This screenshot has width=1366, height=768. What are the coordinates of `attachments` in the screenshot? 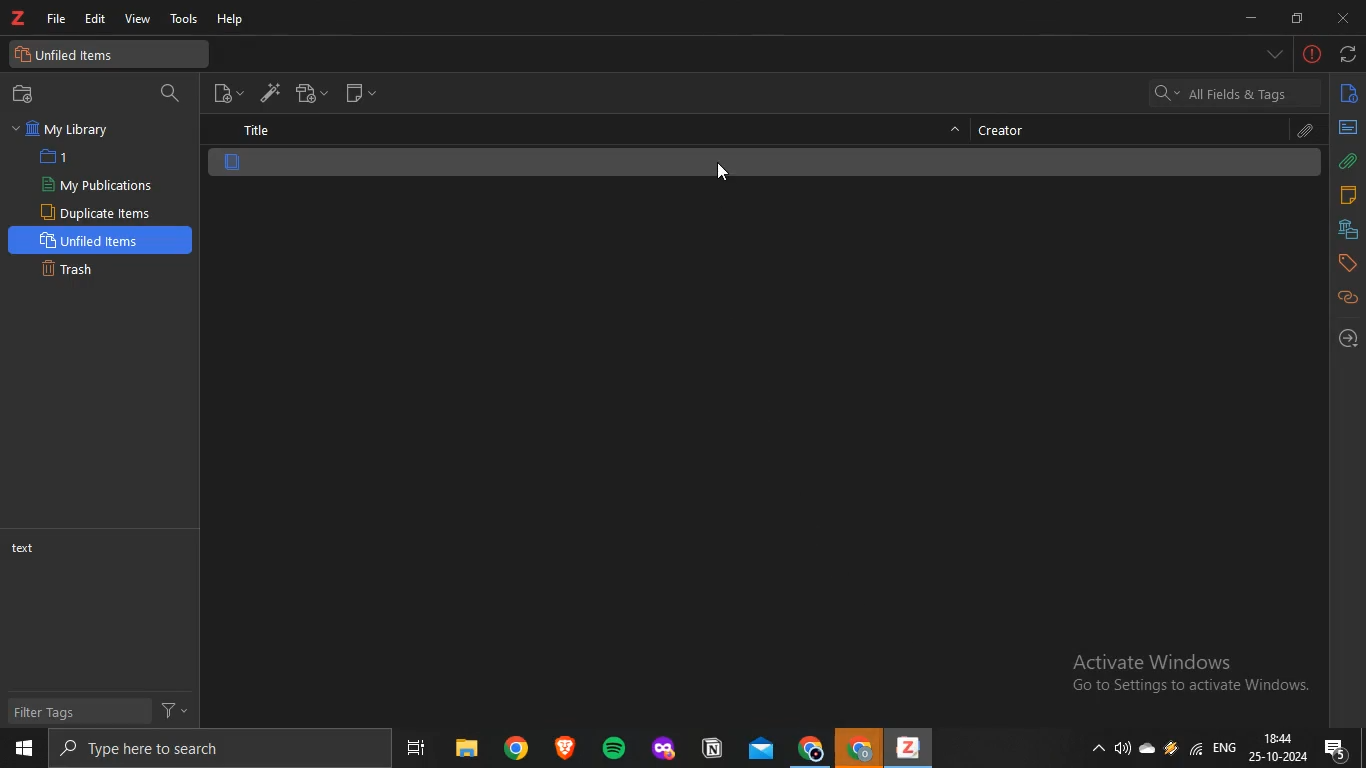 It's located at (1349, 161).